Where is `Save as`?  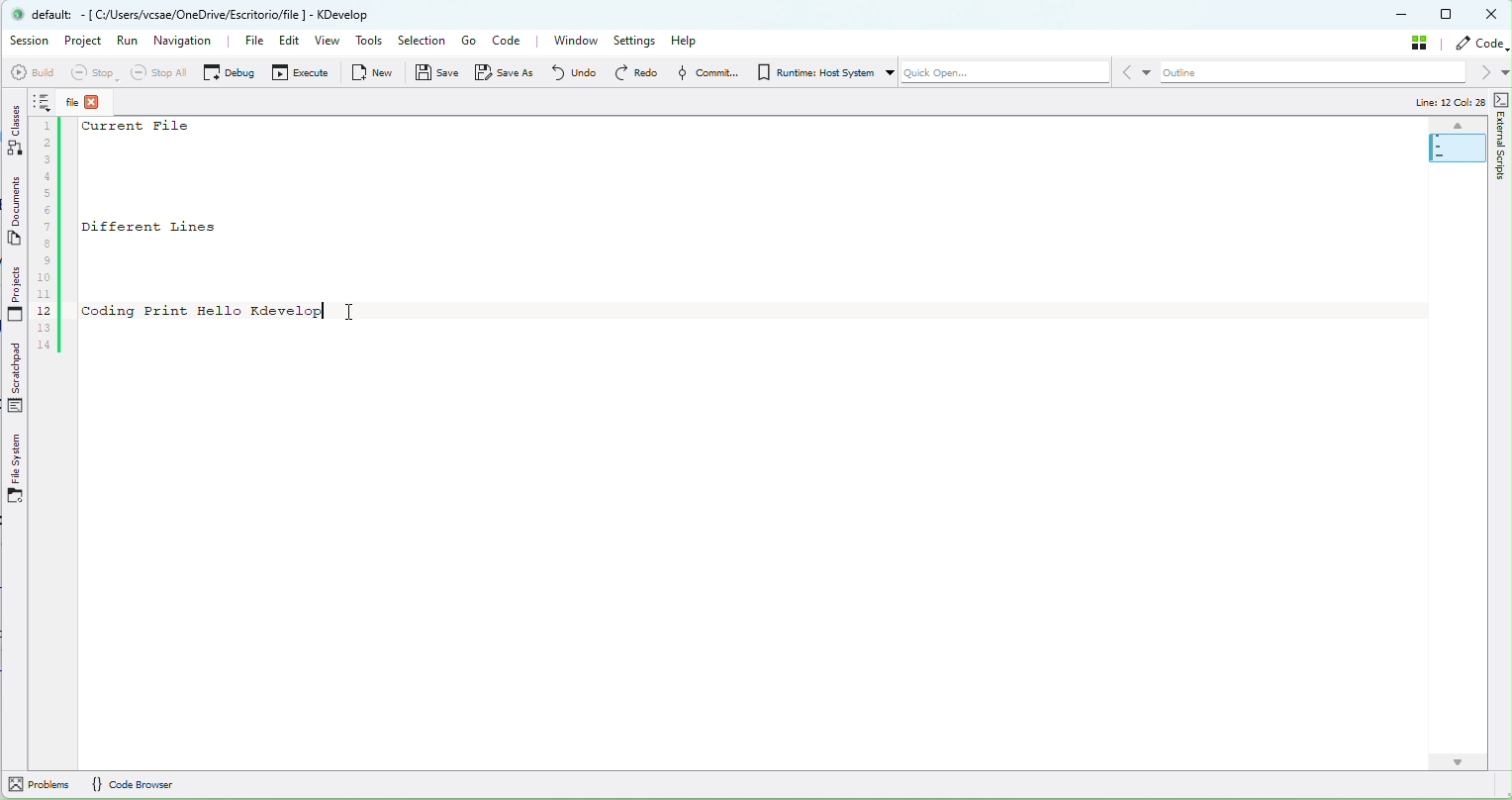 Save as is located at coordinates (509, 72).